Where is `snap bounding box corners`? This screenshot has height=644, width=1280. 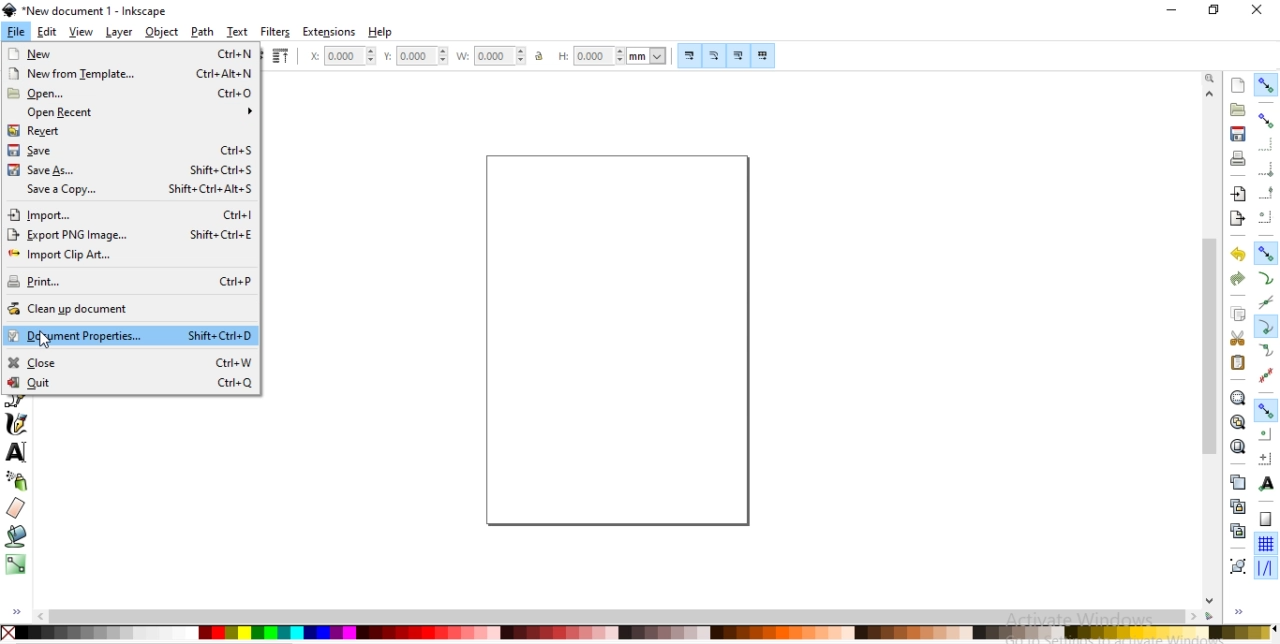
snap bounding box corners is located at coordinates (1266, 169).